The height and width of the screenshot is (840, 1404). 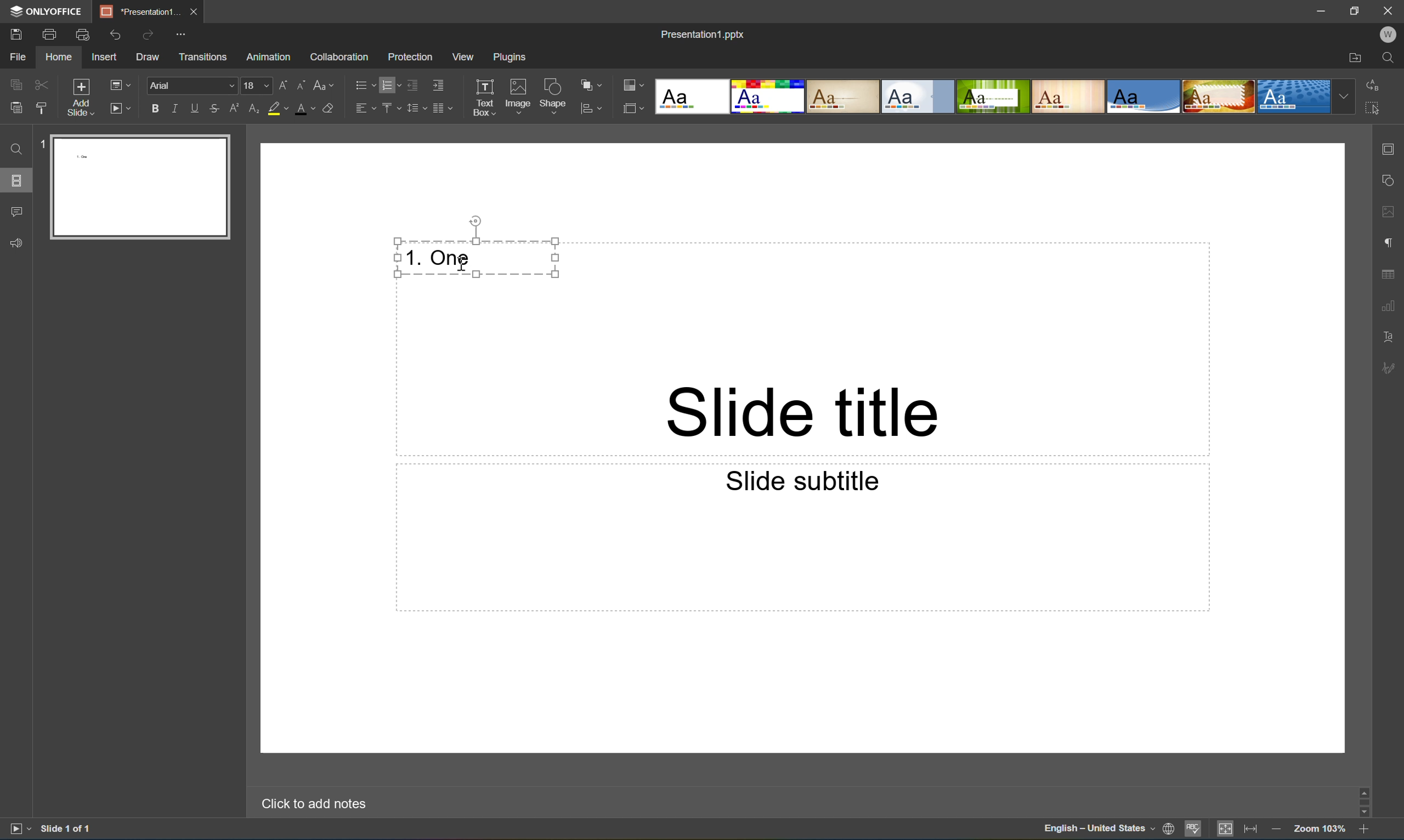 What do you see at coordinates (118, 84) in the screenshot?
I see `Change slide layout` at bounding box center [118, 84].